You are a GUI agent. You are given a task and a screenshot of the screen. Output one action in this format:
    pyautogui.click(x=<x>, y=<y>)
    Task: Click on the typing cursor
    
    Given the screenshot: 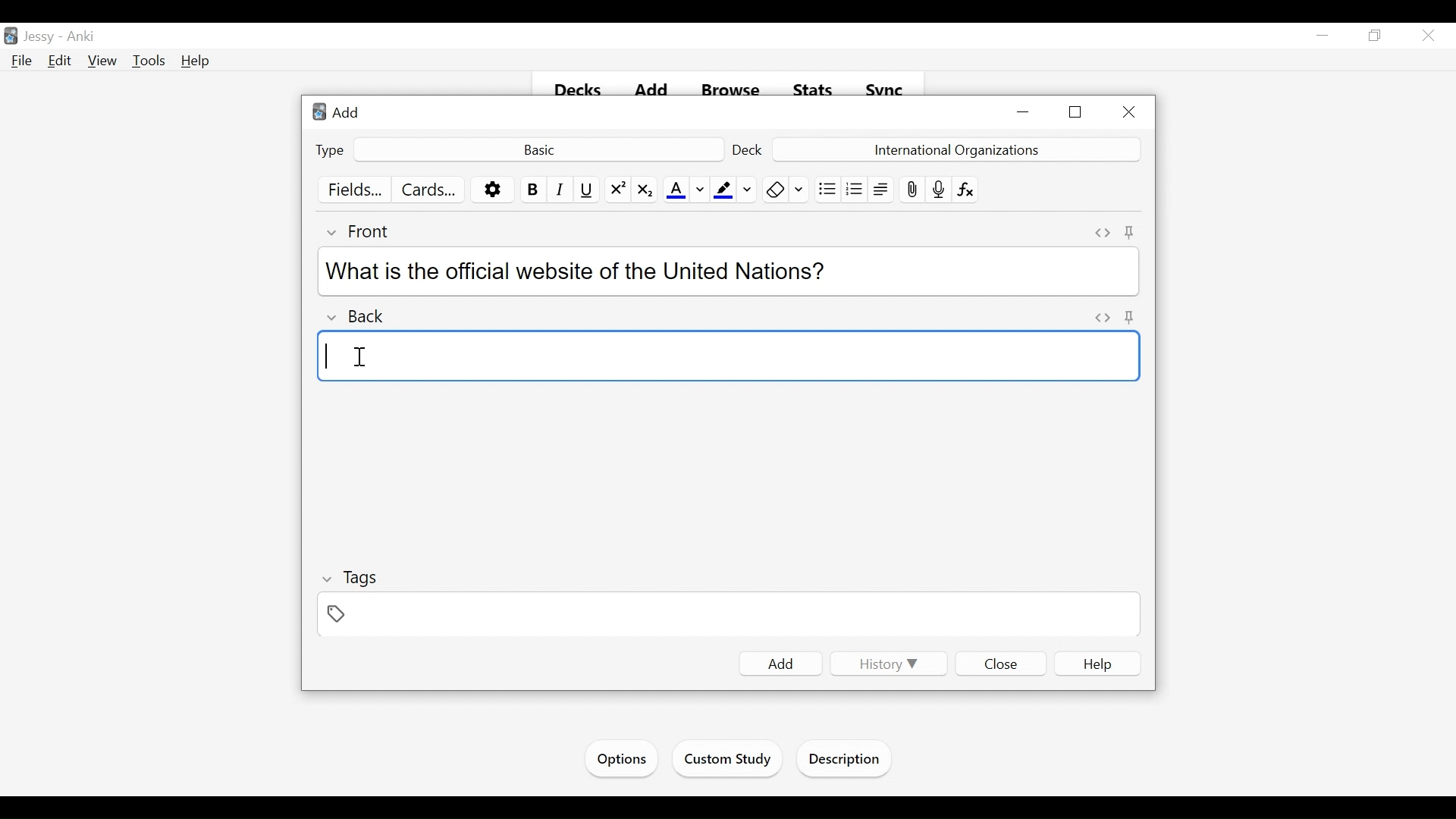 What is the action you would take?
    pyautogui.click(x=331, y=358)
    